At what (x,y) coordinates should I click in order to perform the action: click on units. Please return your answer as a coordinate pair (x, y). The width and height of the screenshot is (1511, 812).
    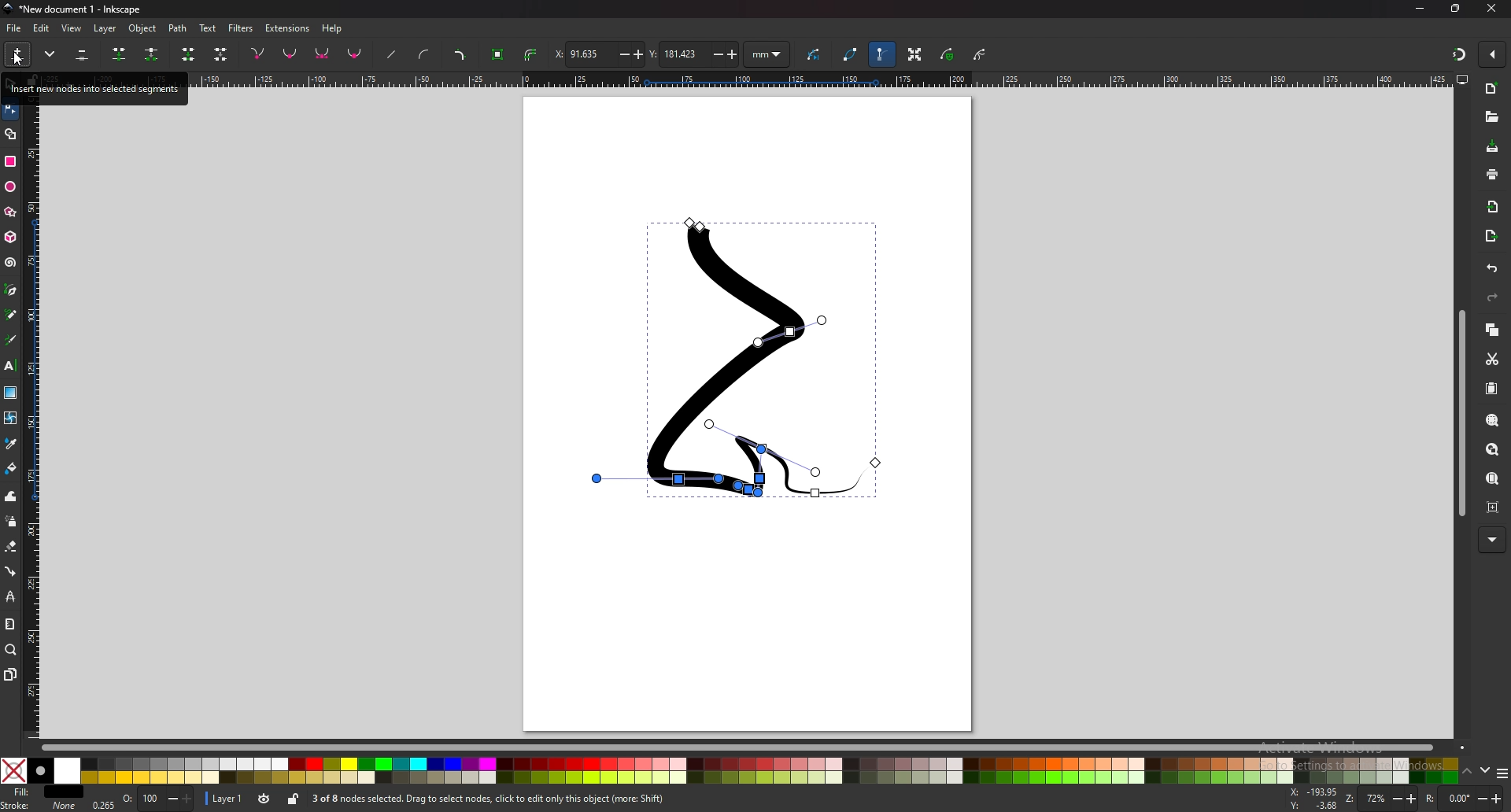
    Looking at the image, I should click on (768, 55).